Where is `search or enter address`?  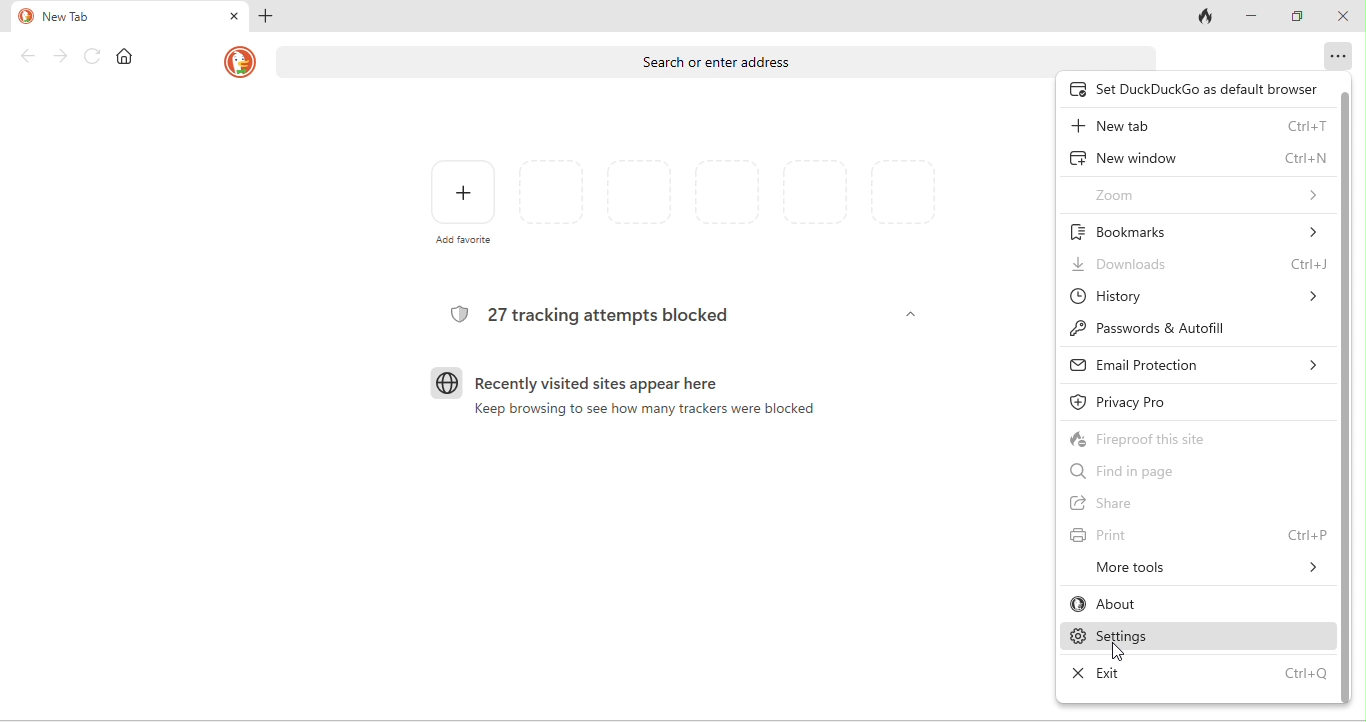
search or enter address is located at coordinates (717, 60).